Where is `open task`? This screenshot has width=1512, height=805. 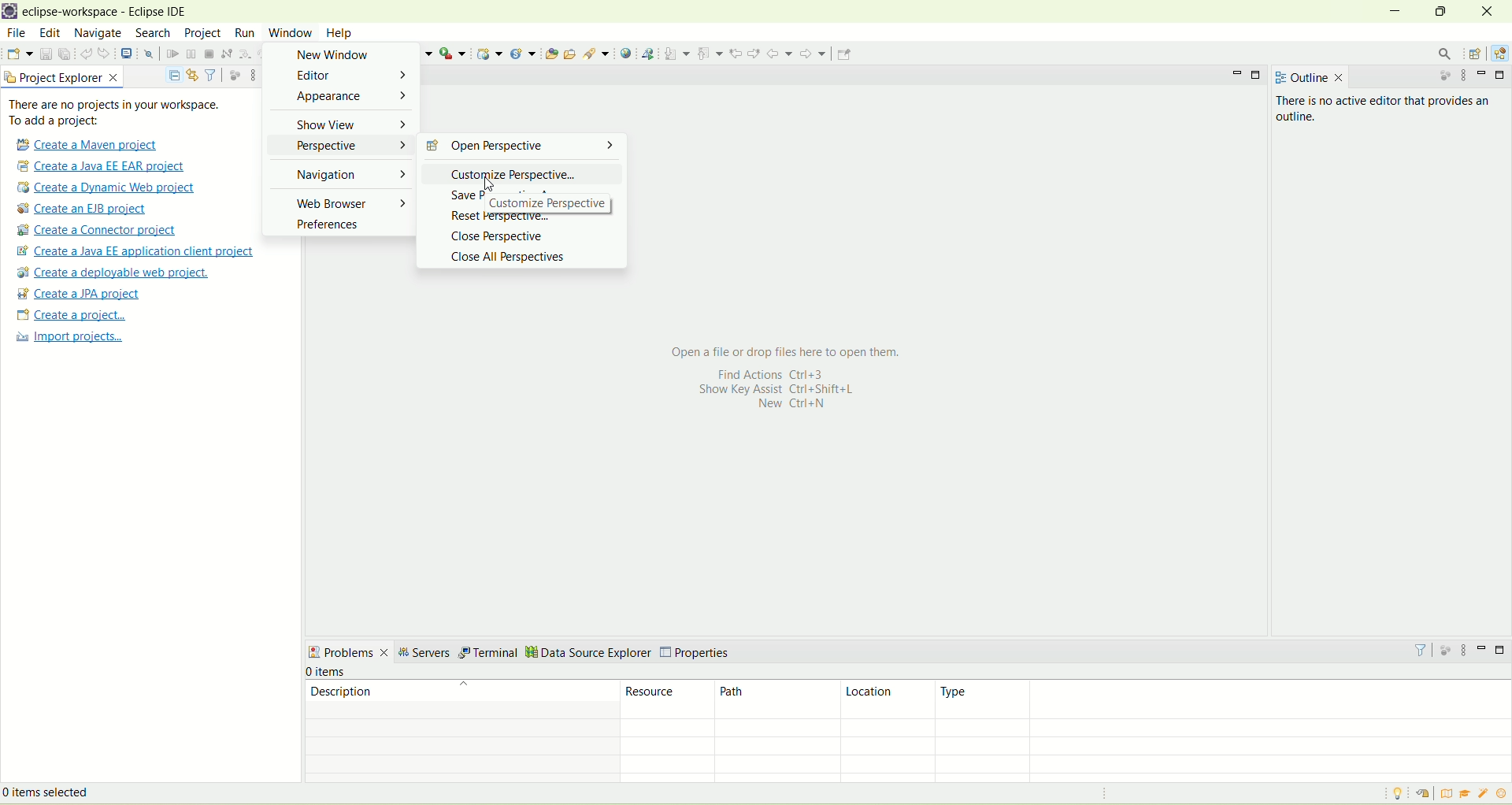
open task is located at coordinates (572, 54).